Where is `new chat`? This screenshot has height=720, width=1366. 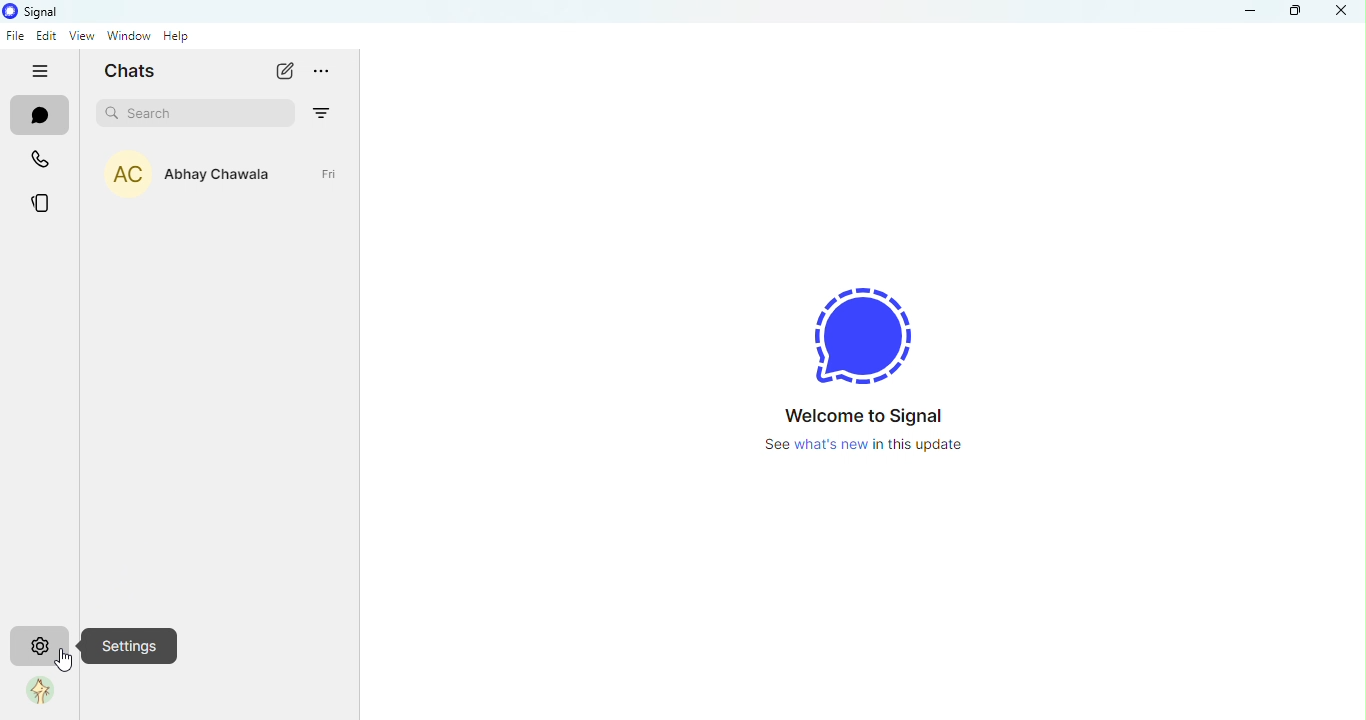 new chat is located at coordinates (283, 75).